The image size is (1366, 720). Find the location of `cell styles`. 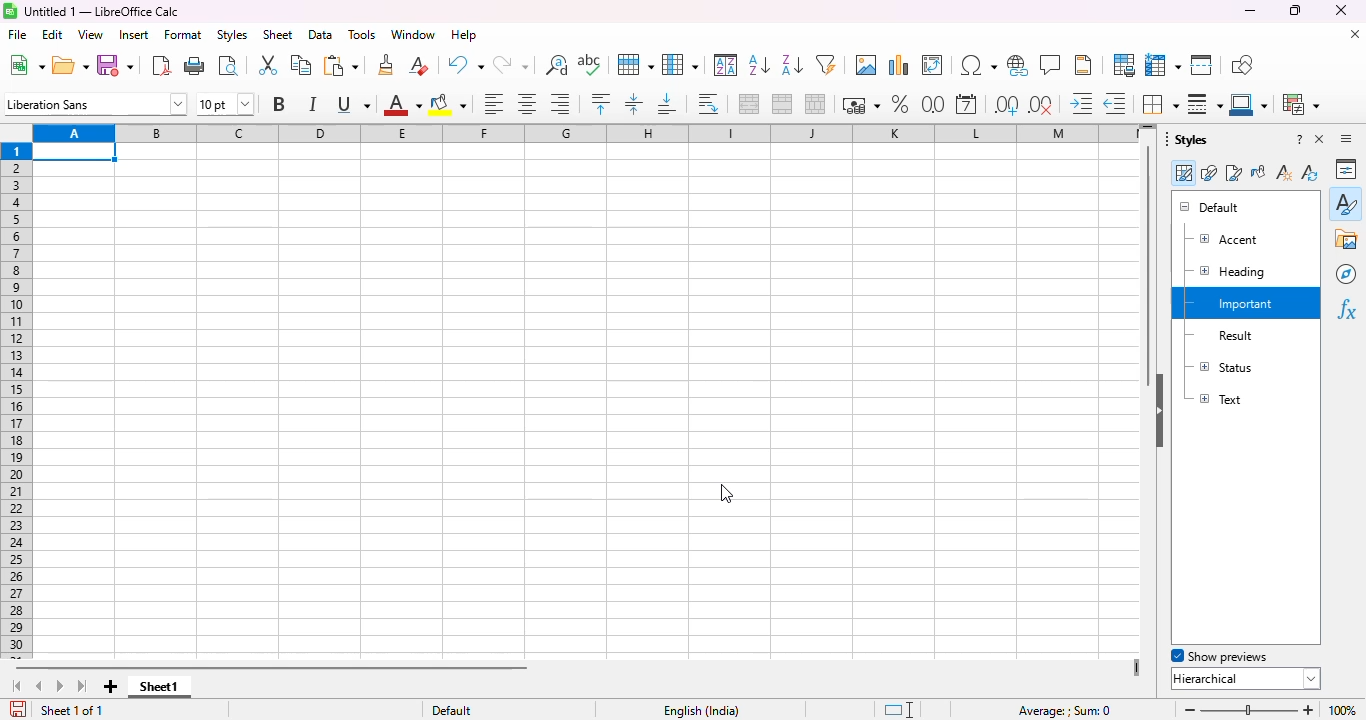

cell styles is located at coordinates (1183, 173).